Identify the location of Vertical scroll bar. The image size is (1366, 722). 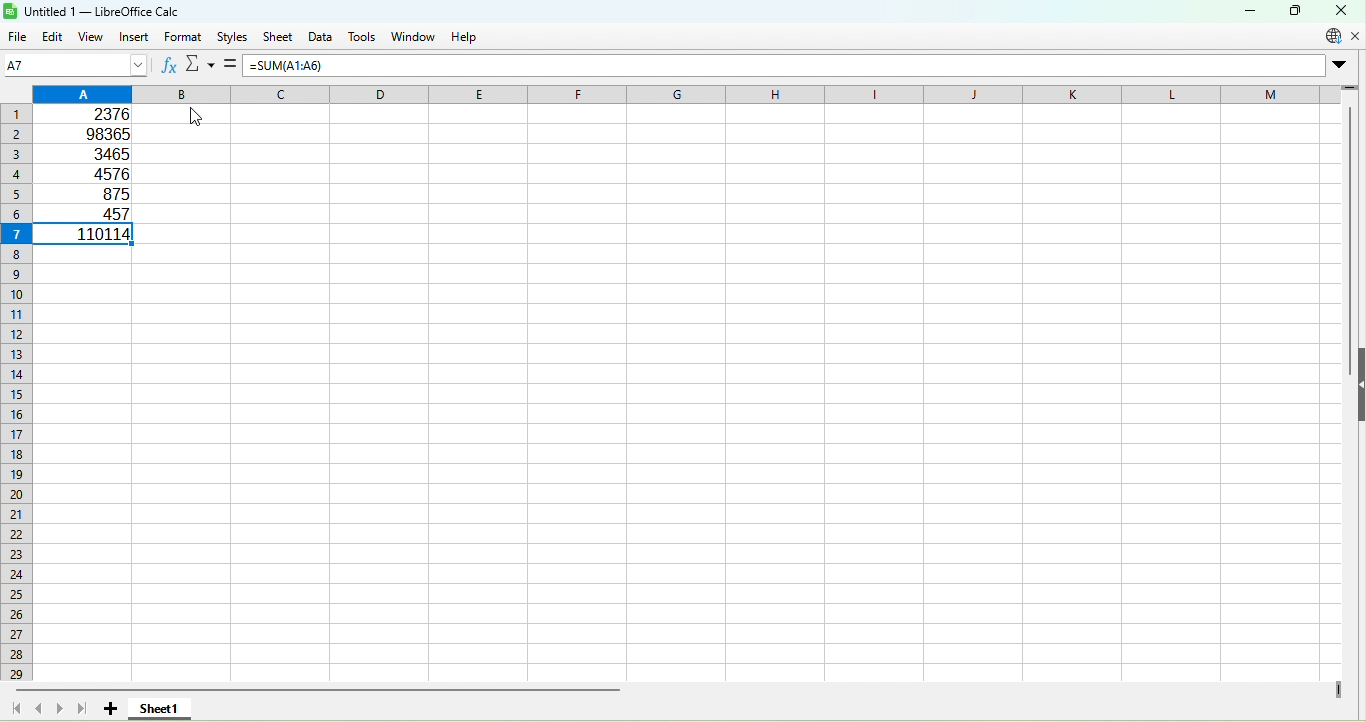
(1352, 557).